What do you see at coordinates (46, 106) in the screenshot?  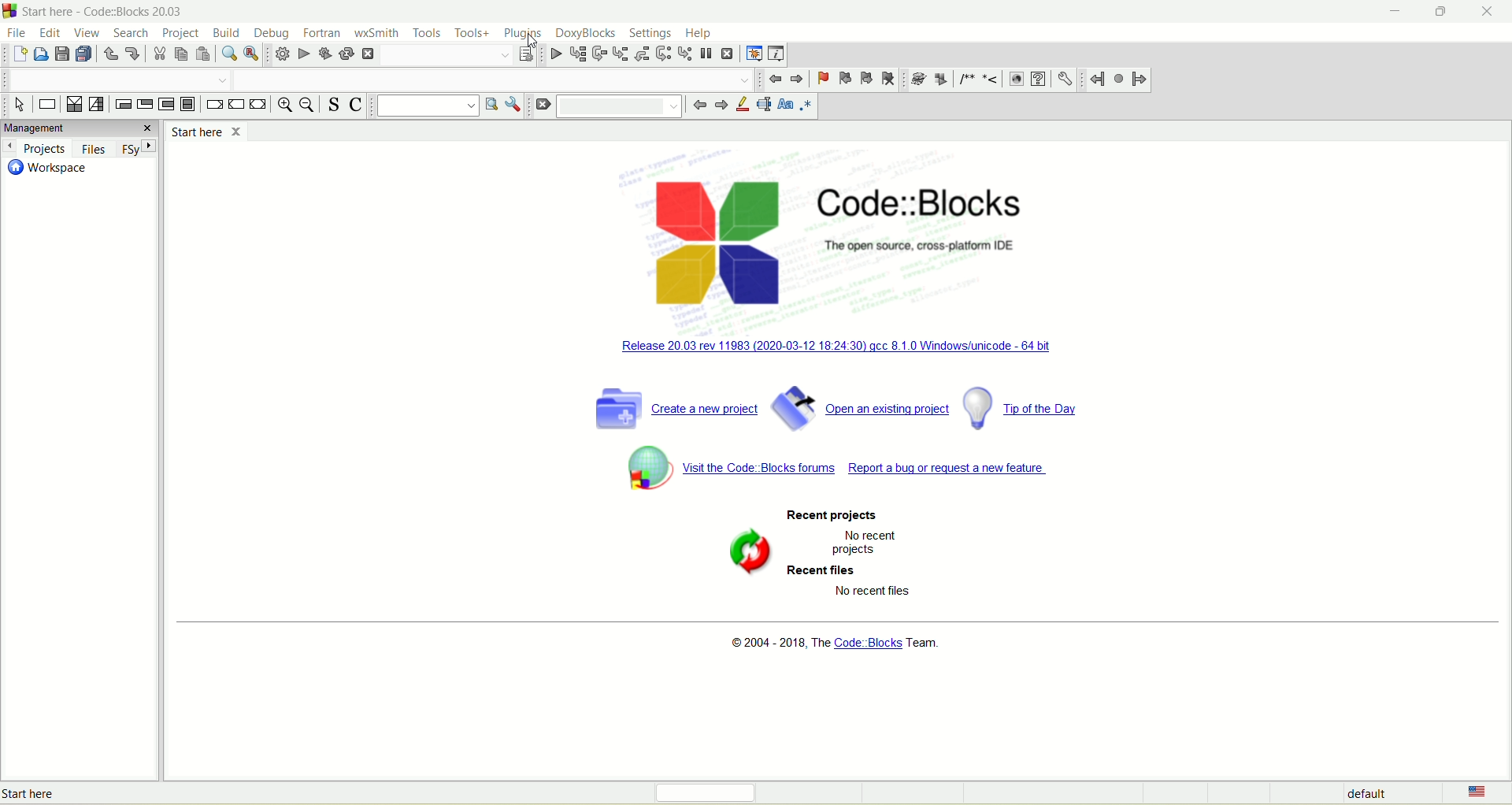 I see `instruction` at bounding box center [46, 106].